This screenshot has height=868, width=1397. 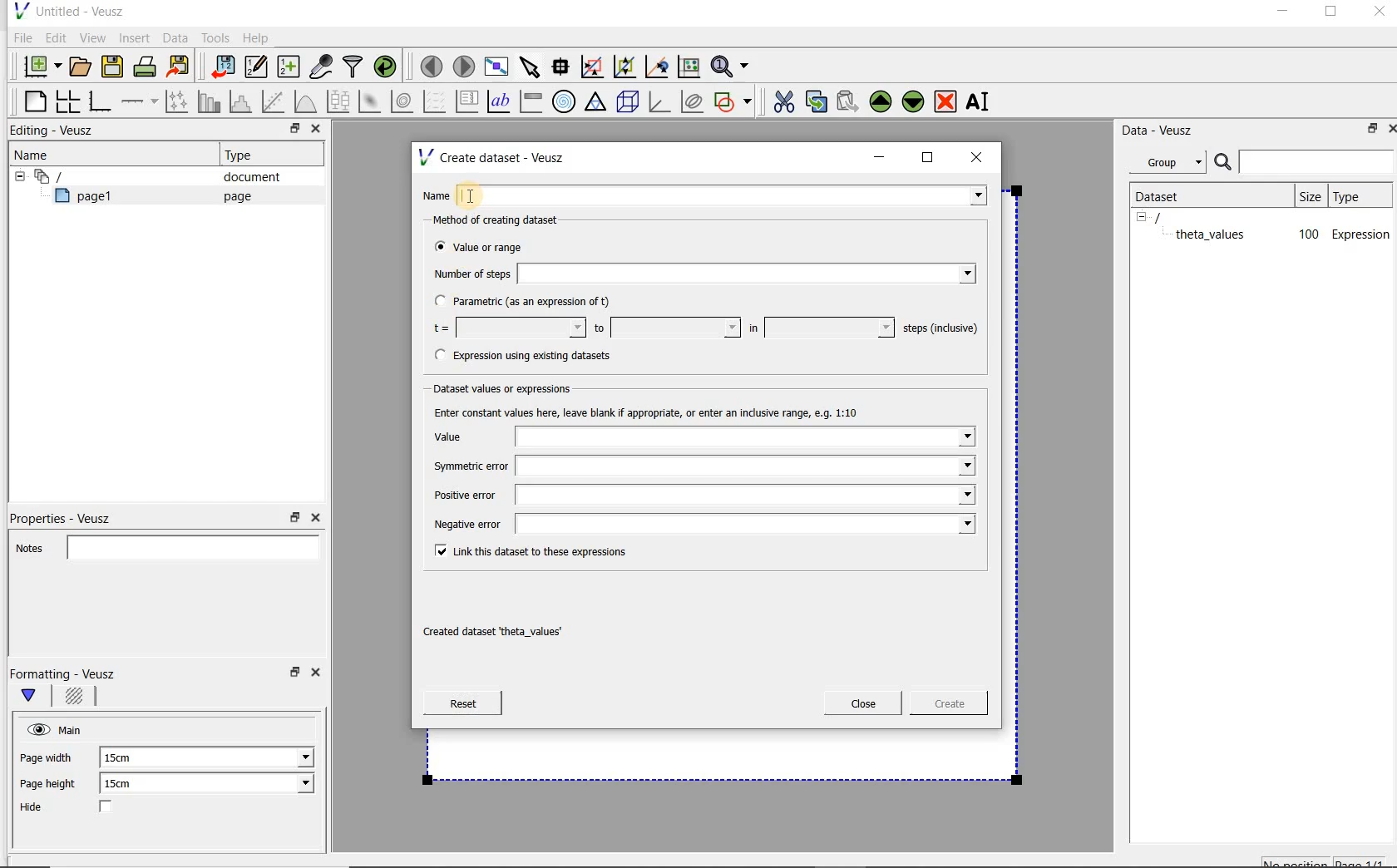 I want to click on plot a 2d dataset as contours, so click(x=403, y=101).